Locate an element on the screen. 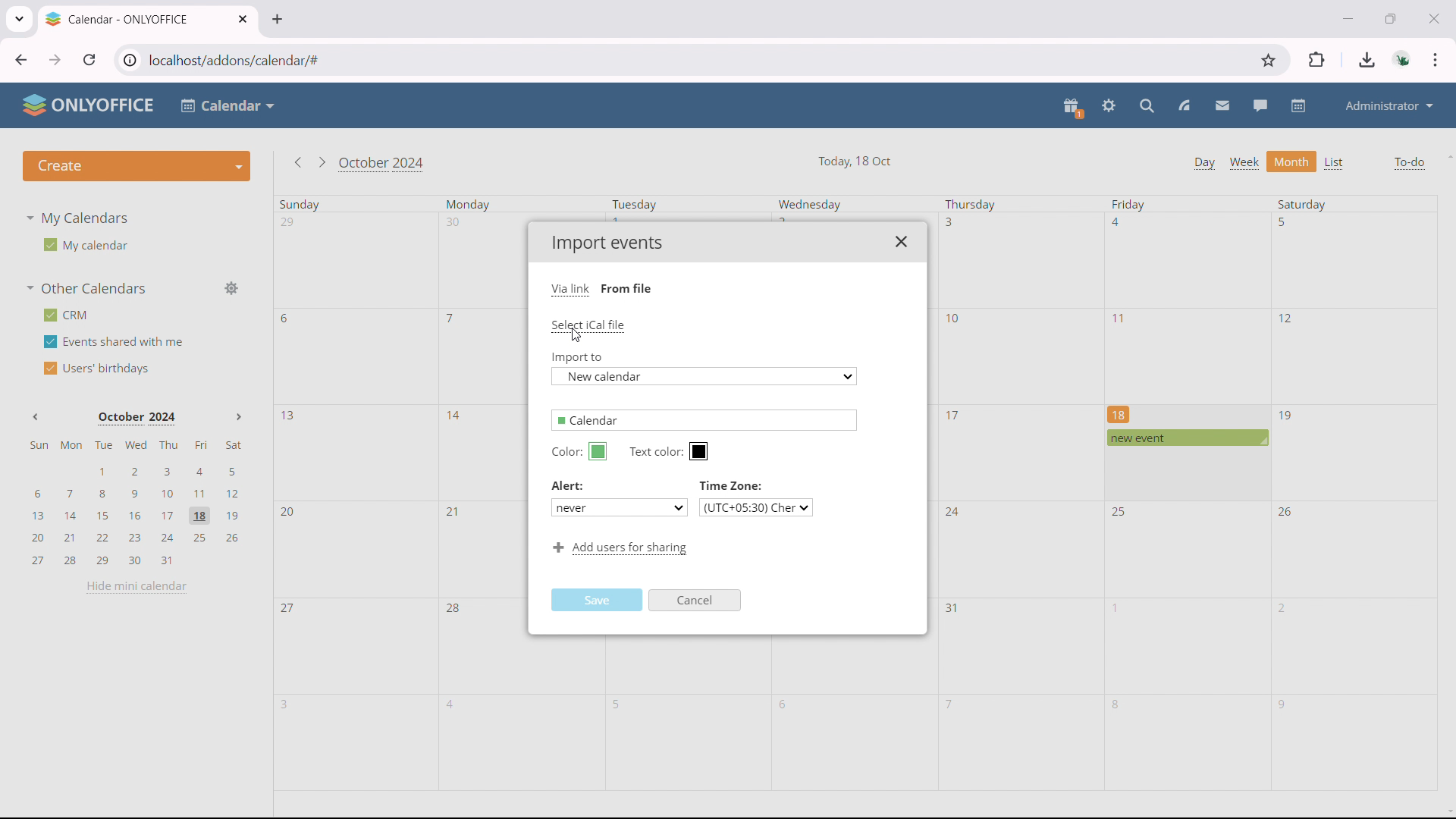 This screenshot has width=1456, height=819. click to go back, hold to see history is located at coordinates (21, 59).